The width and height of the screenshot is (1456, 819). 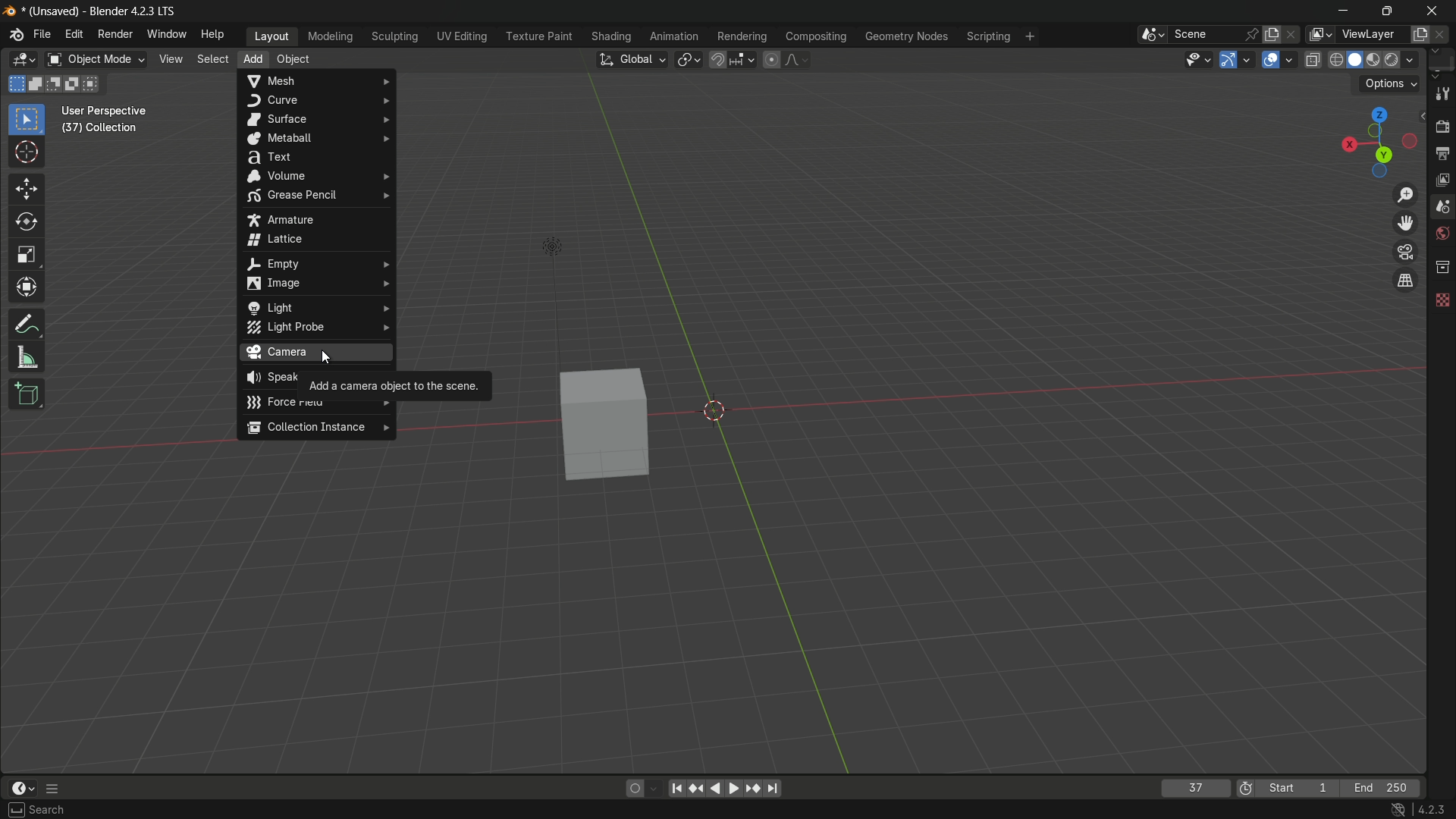 What do you see at coordinates (1439, 180) in the screenshot?
I see `view layer` at bounding box center [1439, 180].